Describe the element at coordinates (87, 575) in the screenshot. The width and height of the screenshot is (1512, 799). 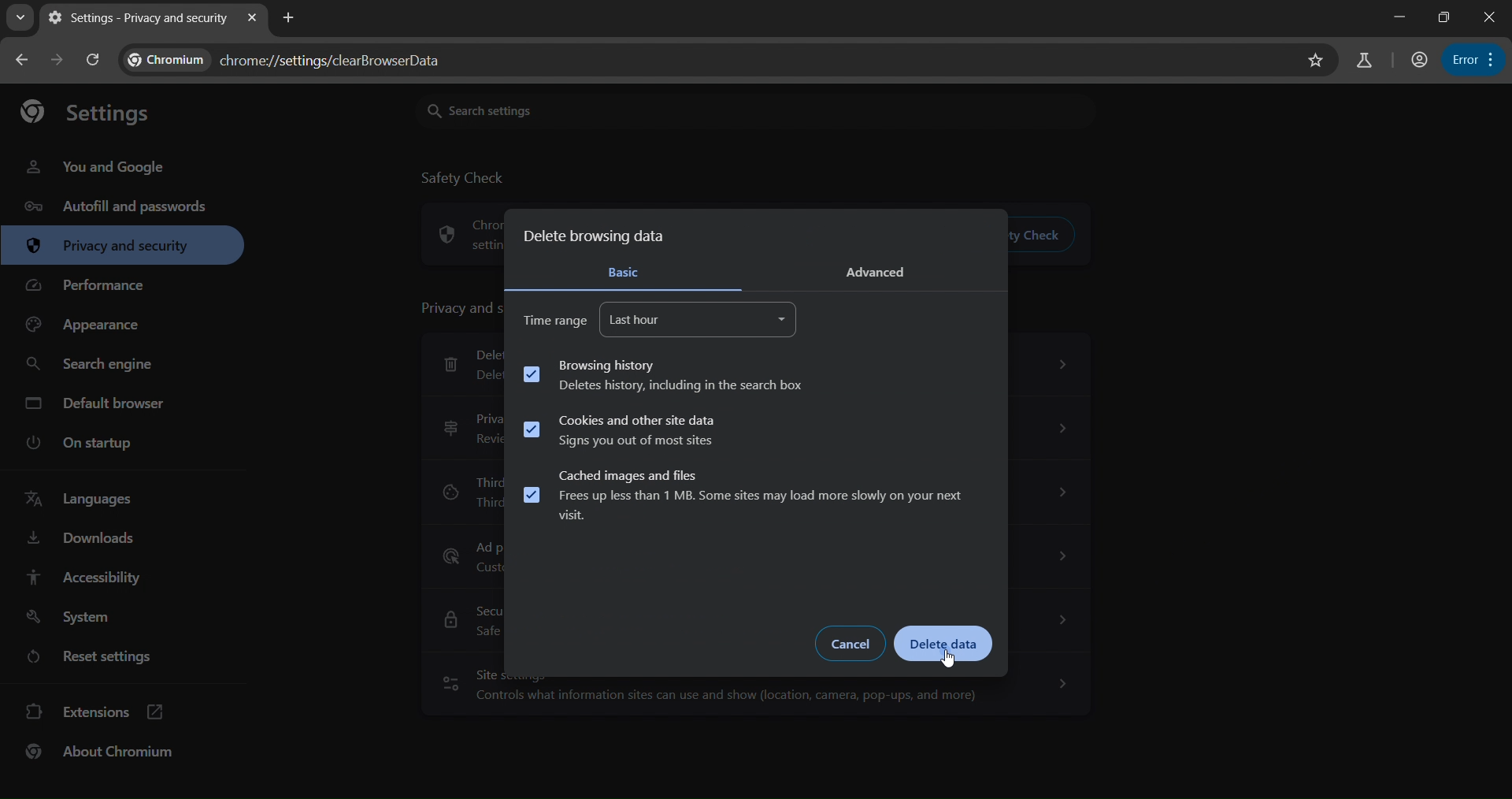
I see `accessibility` at that location.